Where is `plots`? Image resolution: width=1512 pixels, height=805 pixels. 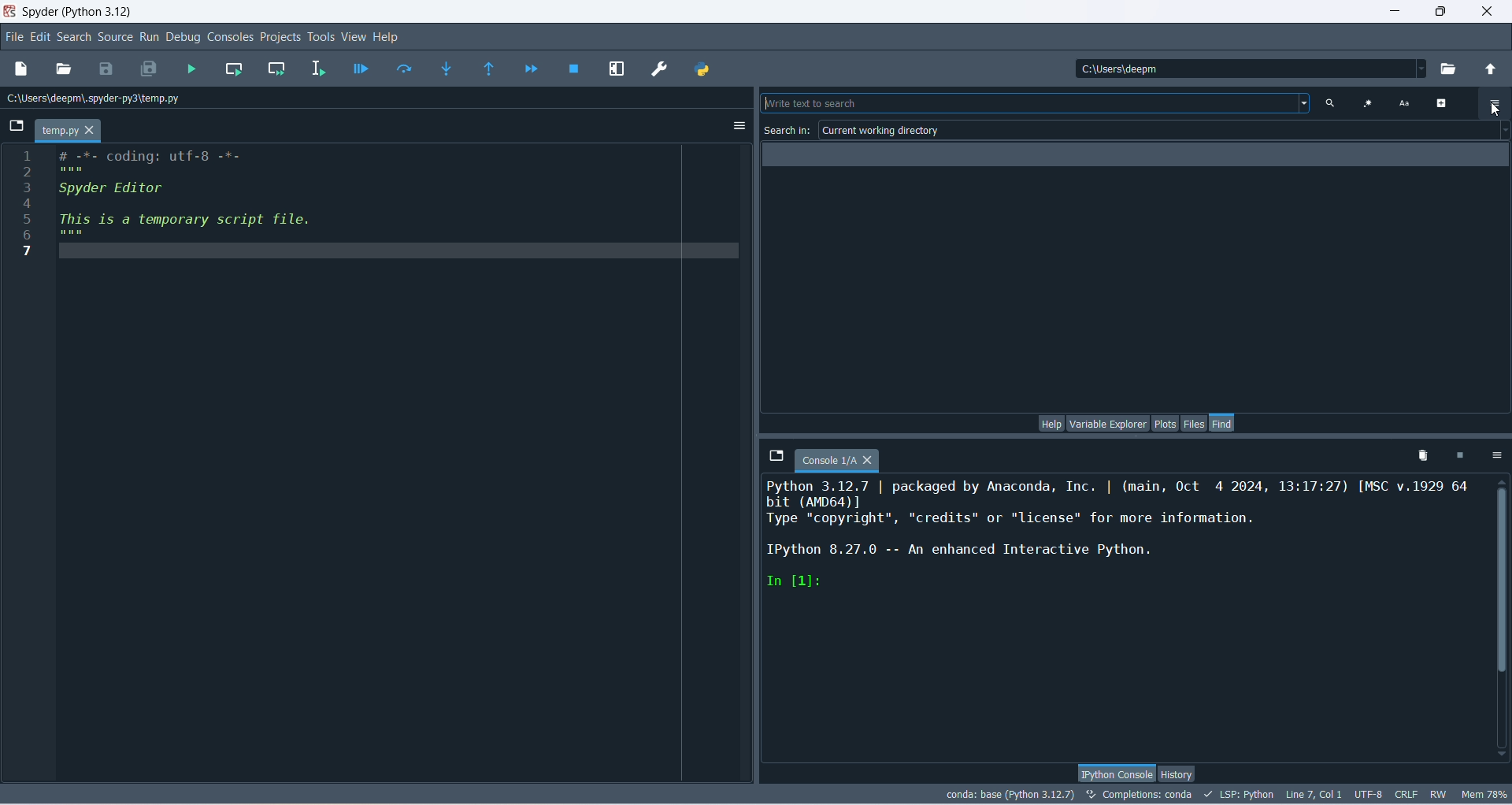 plots is located at coordinates (1165, 423).